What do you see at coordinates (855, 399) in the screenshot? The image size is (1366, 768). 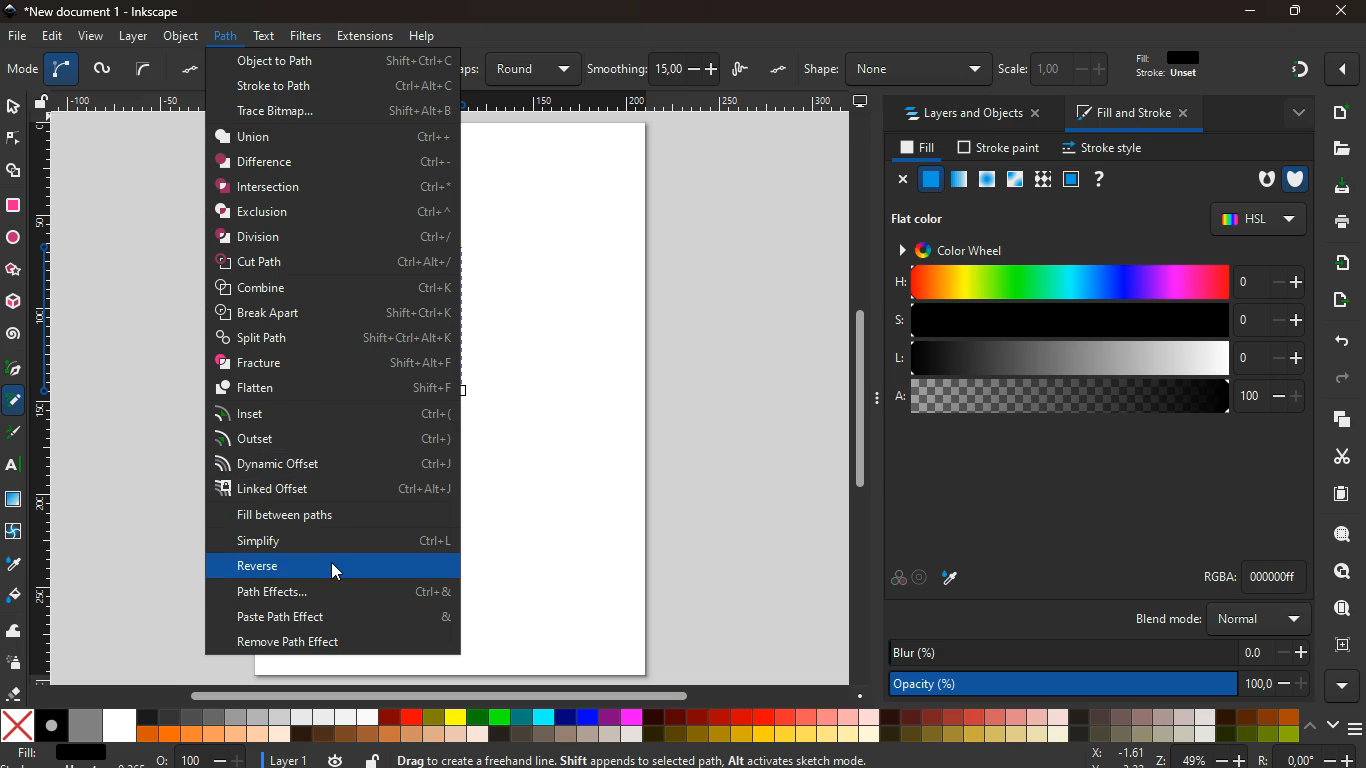 I see `Vertical scroll bar` at bounding box center [855, 399].